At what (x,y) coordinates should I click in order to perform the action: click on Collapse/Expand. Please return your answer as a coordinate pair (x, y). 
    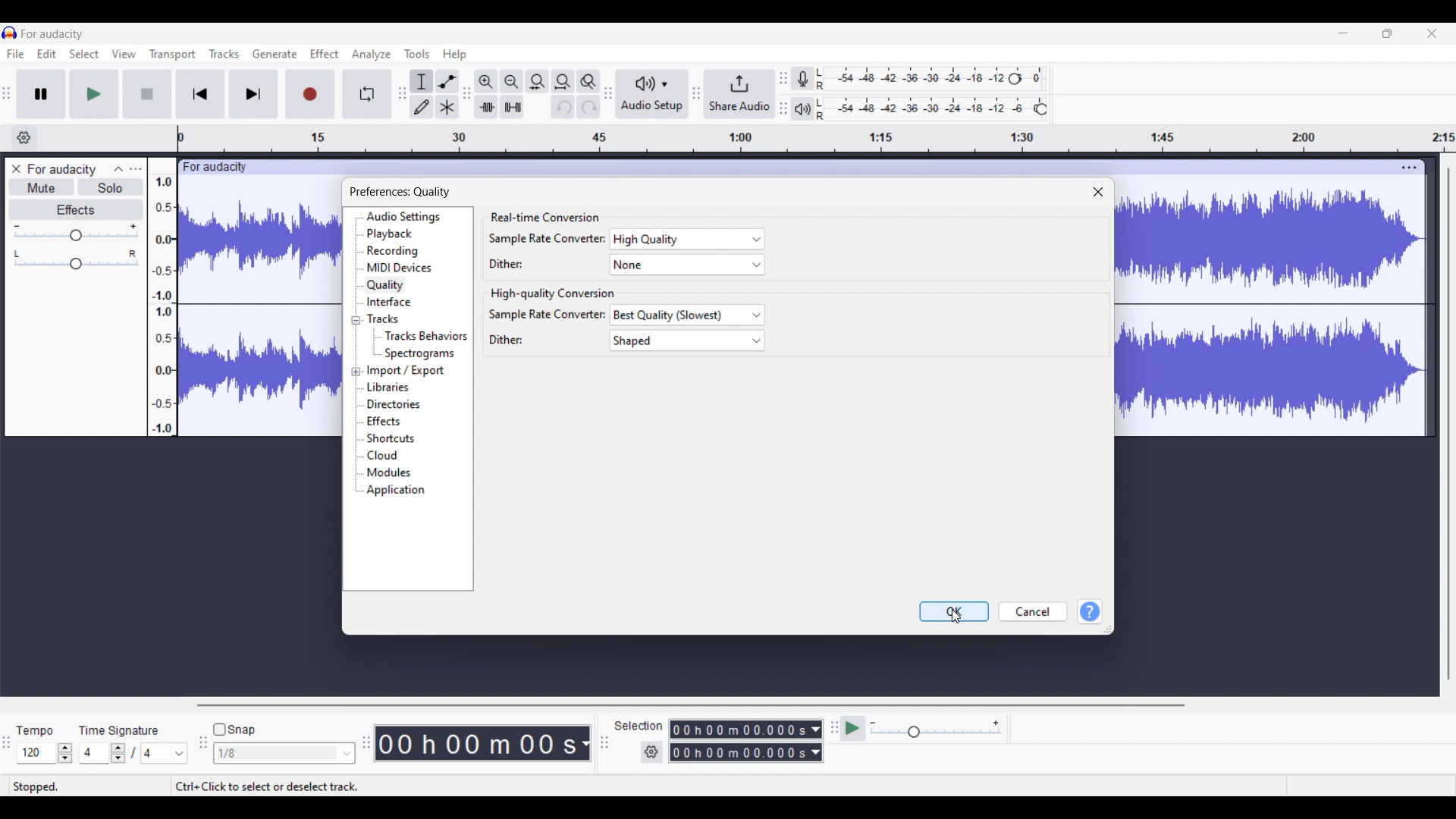
    Looking at the image, I should click on (356, 346).